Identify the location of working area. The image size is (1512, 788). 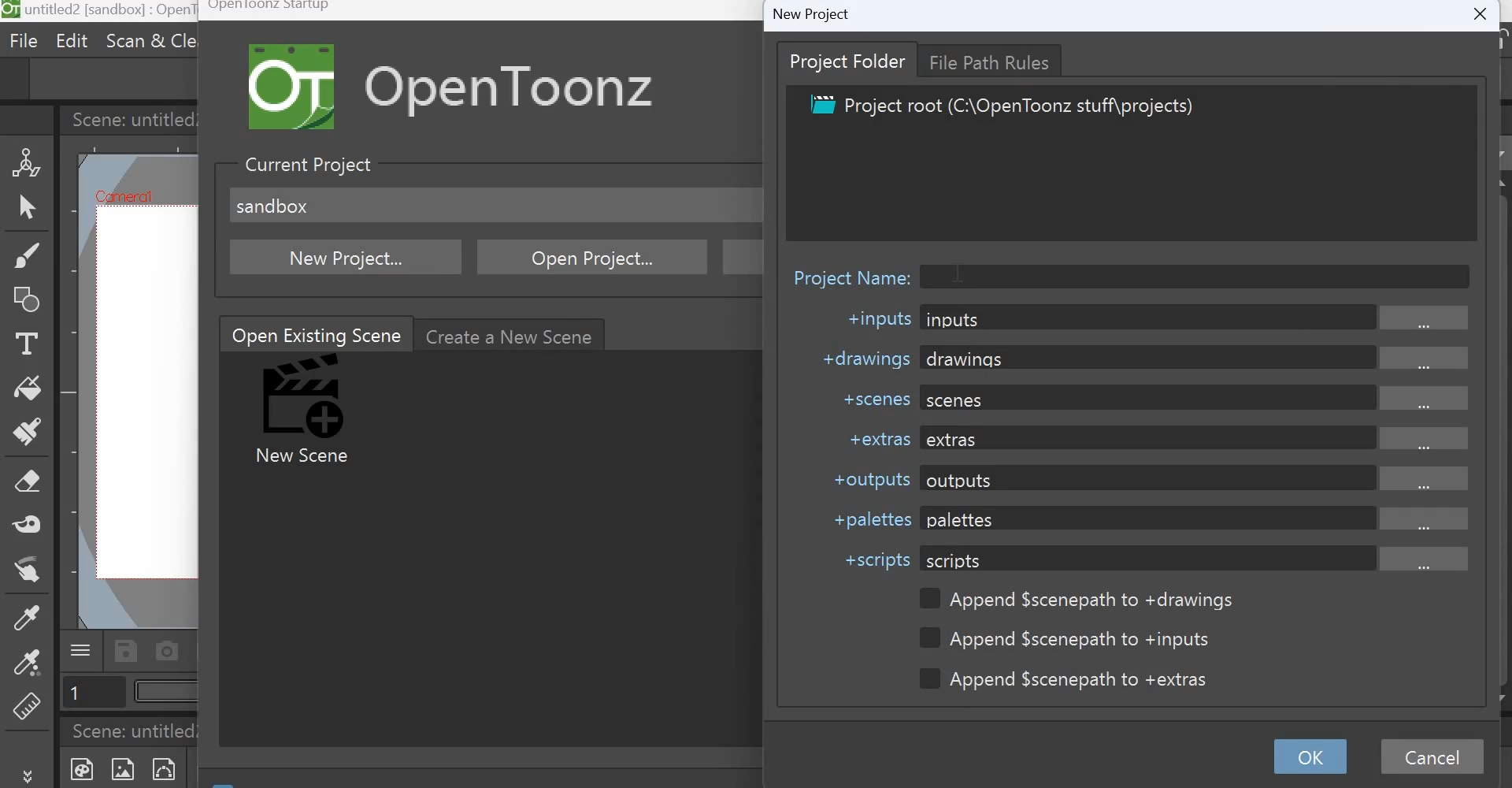
(144, 394).